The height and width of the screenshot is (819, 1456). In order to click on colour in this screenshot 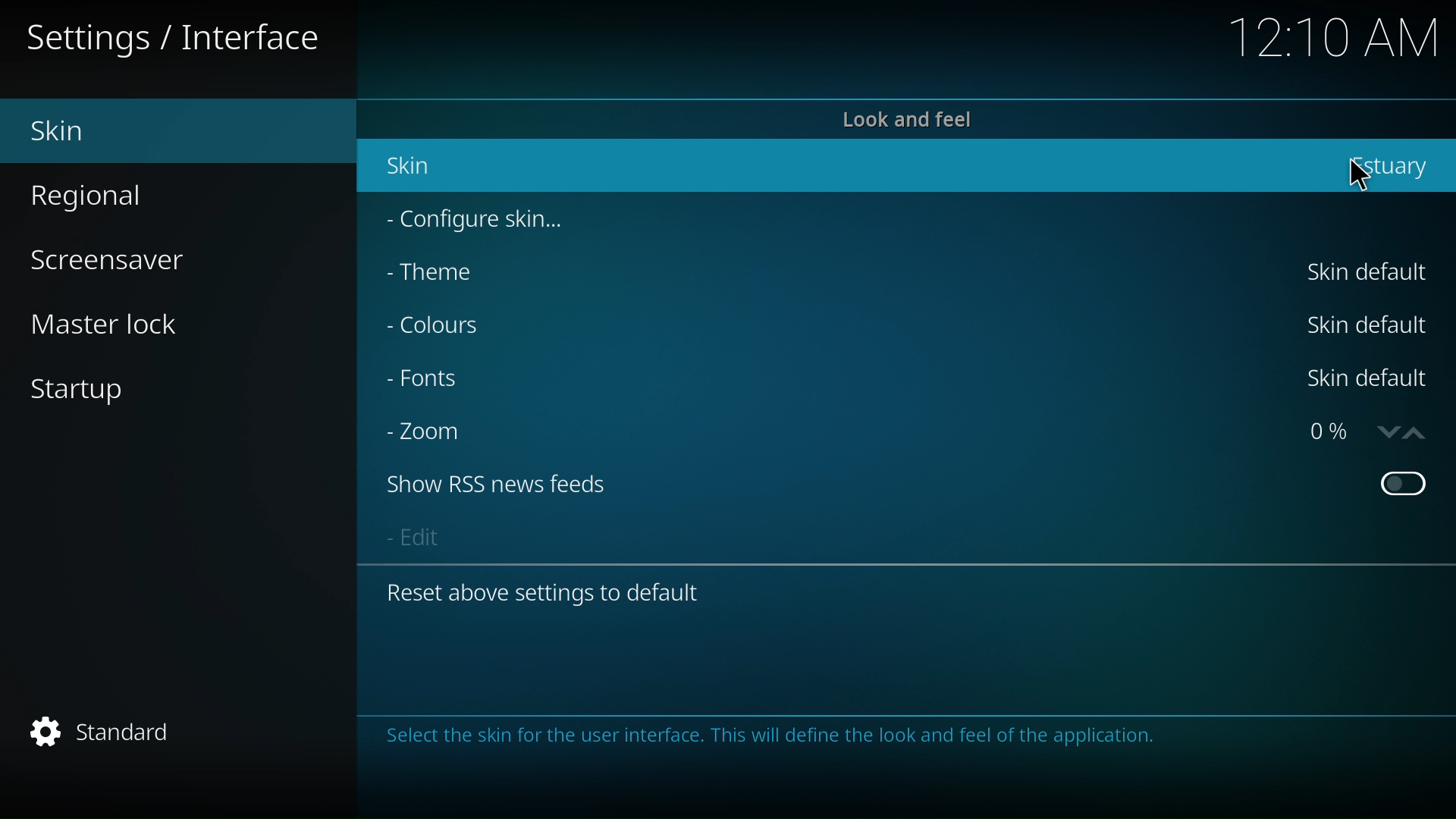, I will do `click(431, 326)`.